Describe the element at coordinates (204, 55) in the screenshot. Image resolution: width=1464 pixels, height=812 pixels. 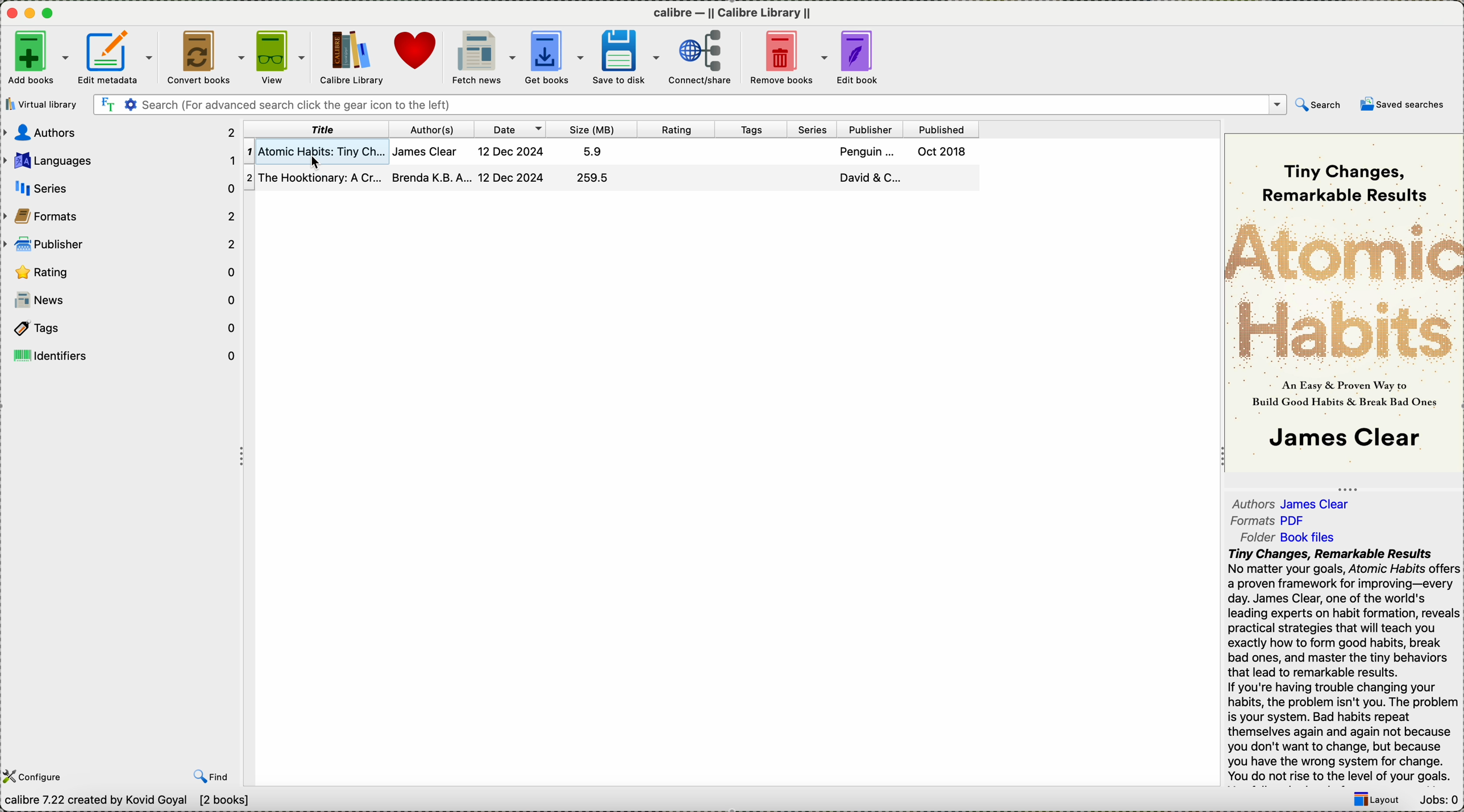
I see `convert books` at that location.